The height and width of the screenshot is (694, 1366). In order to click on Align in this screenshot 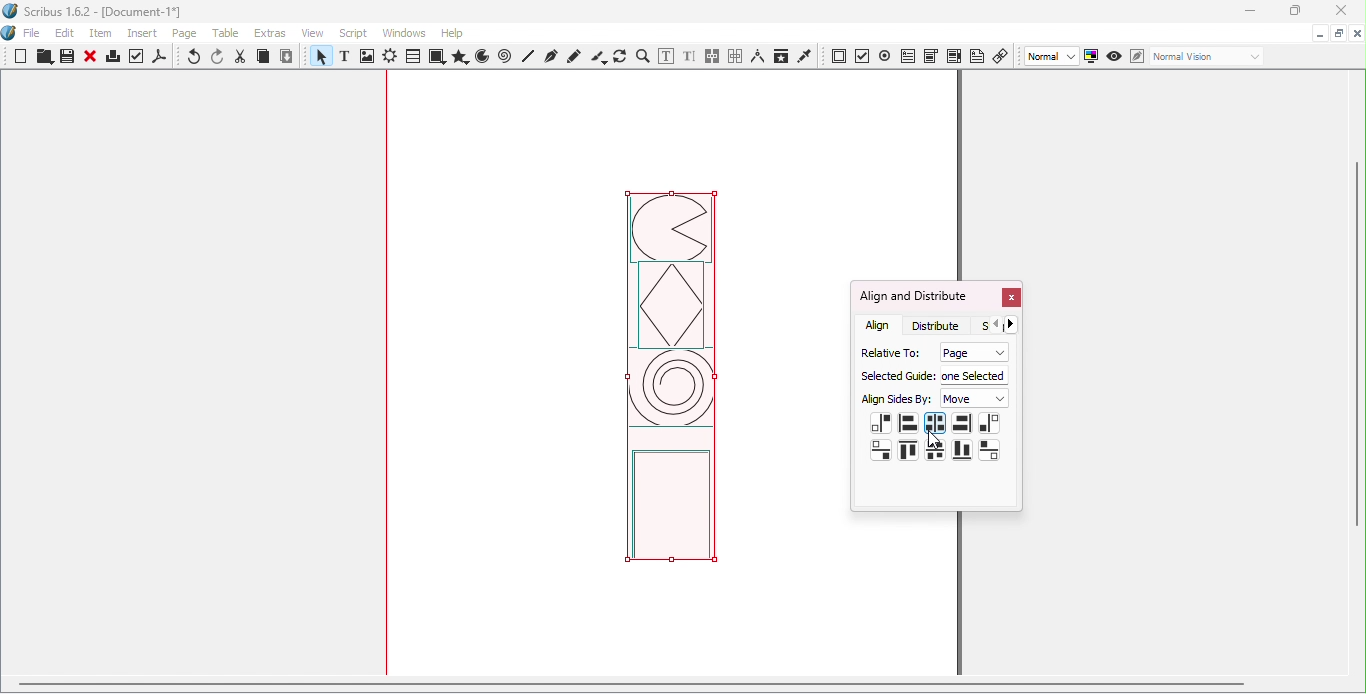, I will do `click(879, 325)`.